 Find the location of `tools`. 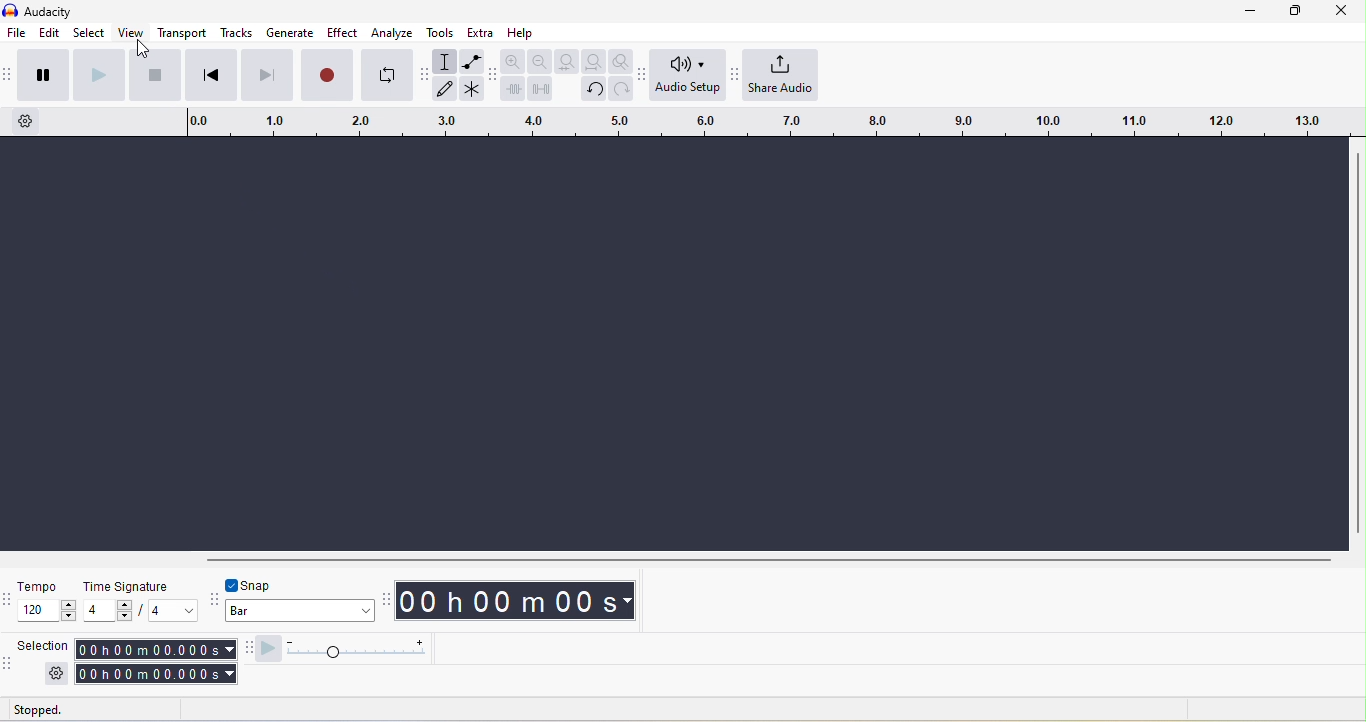

tools is located at coordinates (440, 33).